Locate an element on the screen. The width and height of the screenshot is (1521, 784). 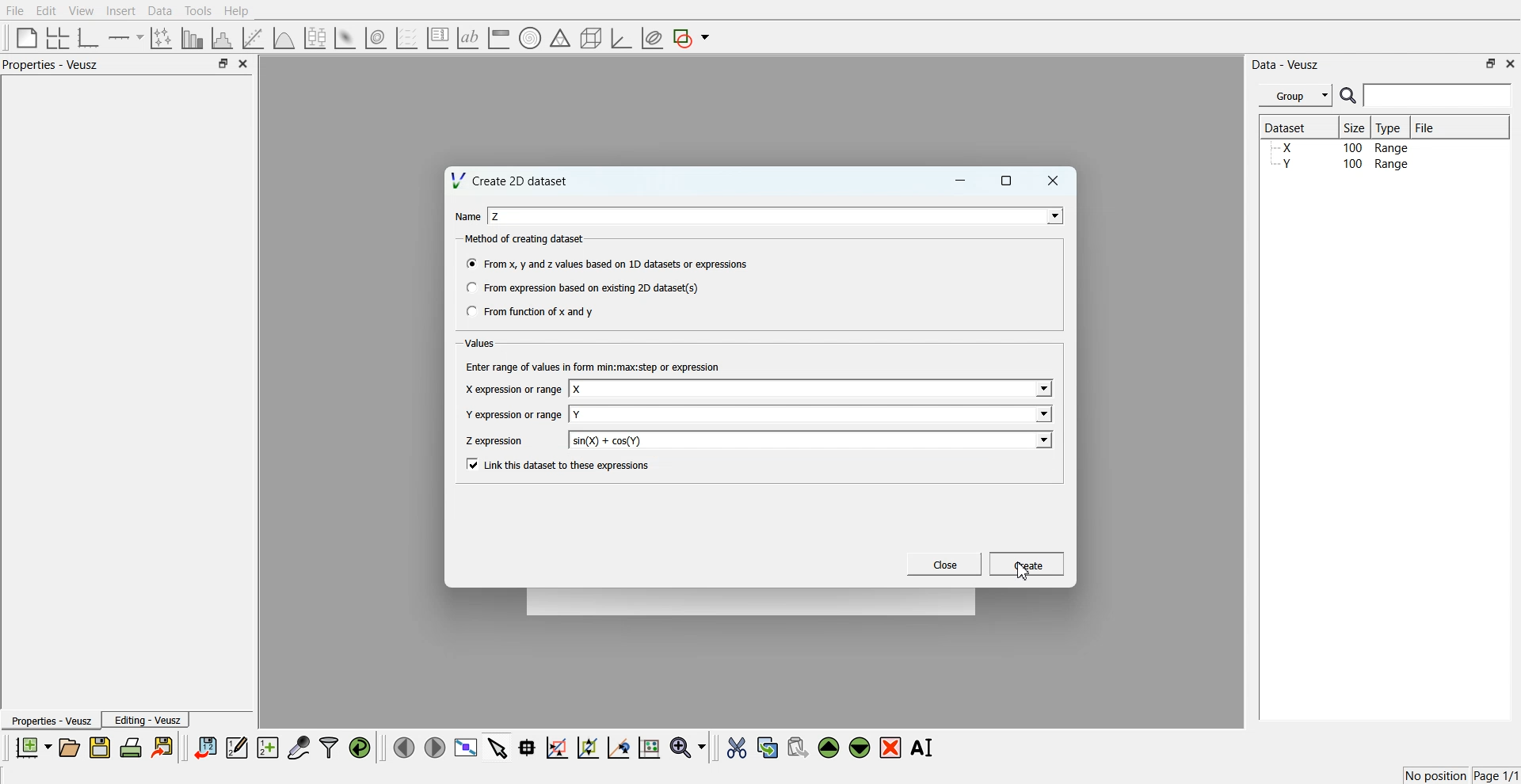
Draw a rectangle to zoom graph axes is located at coordinates (556, 748).